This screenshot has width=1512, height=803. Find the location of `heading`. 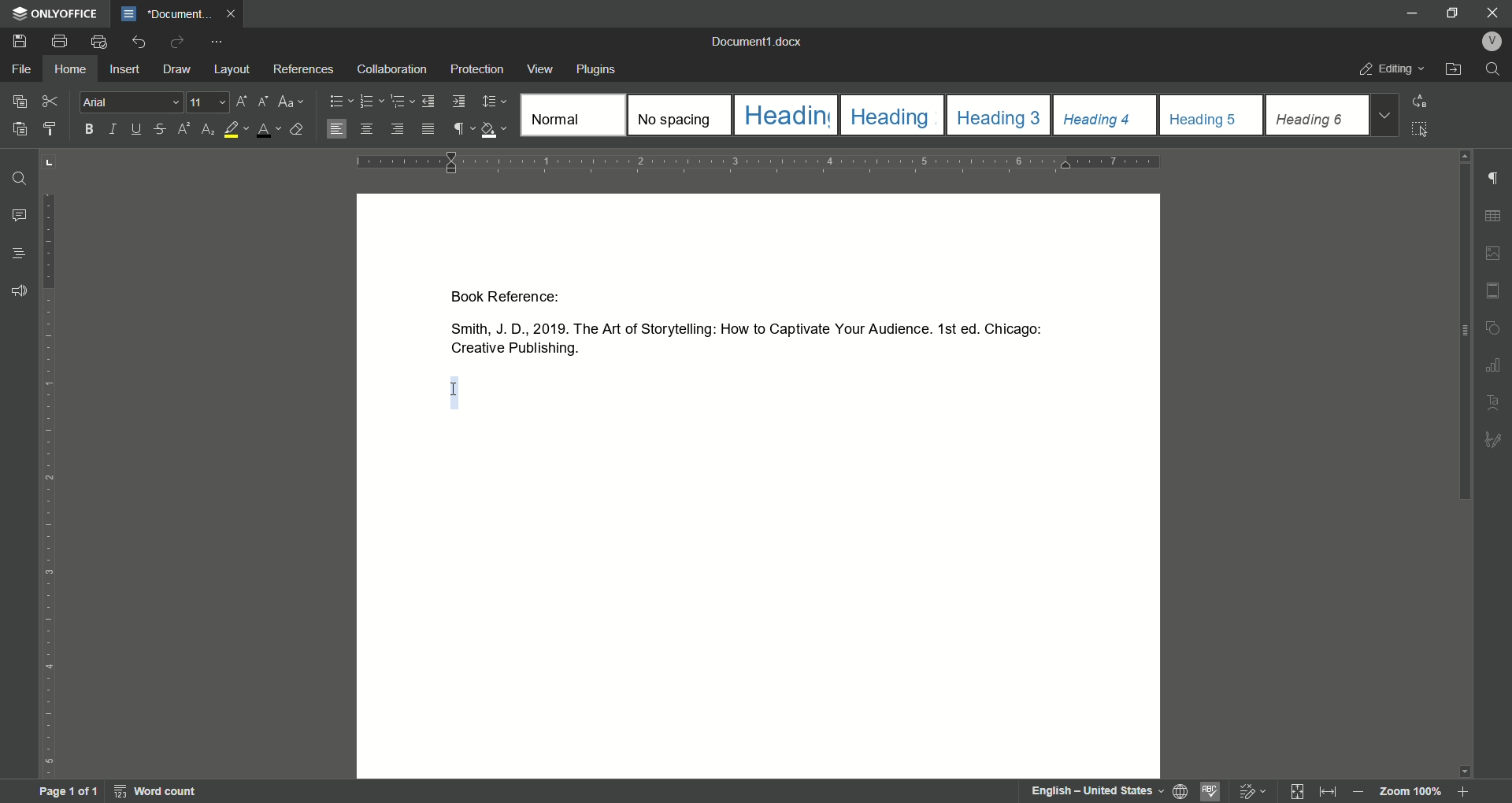

heading is located at coordinates (17, 253).